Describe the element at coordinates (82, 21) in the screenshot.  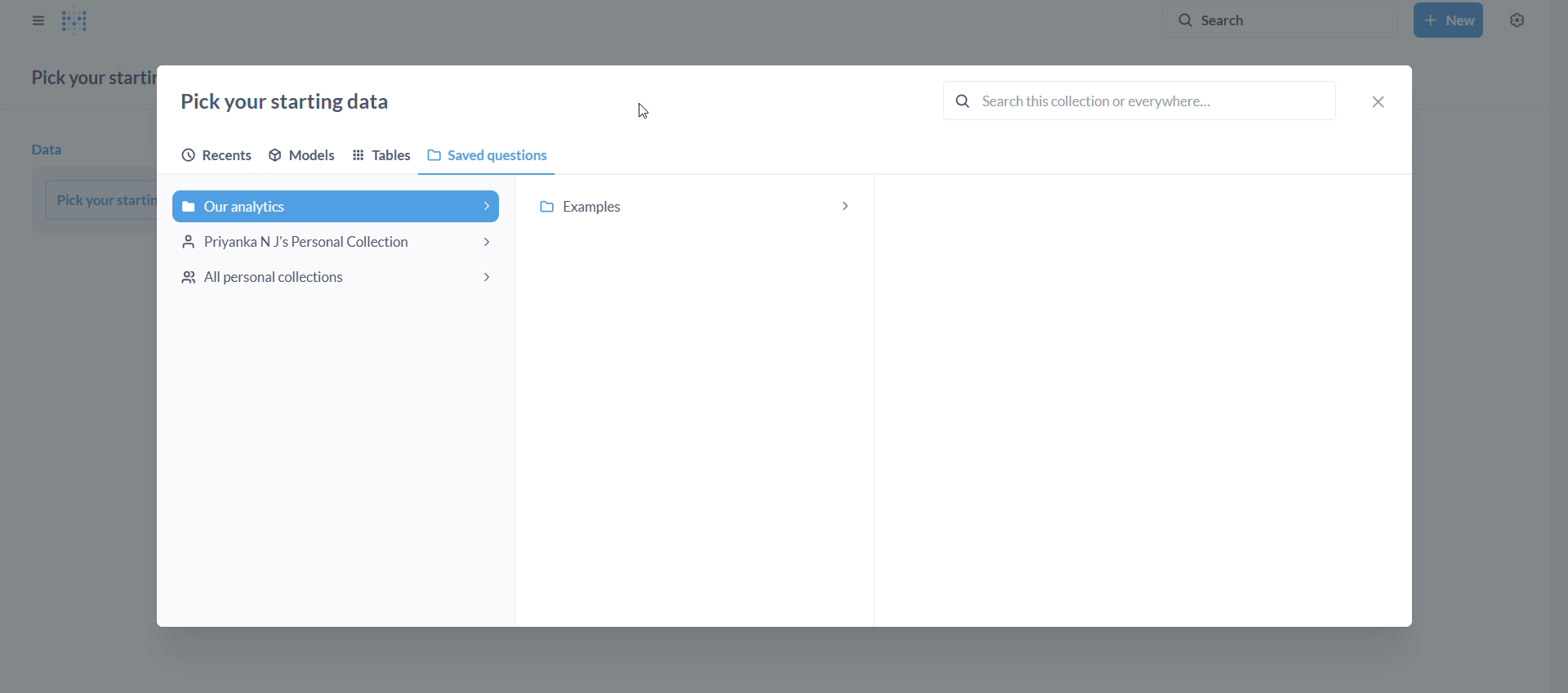
I see `logo` at that location.